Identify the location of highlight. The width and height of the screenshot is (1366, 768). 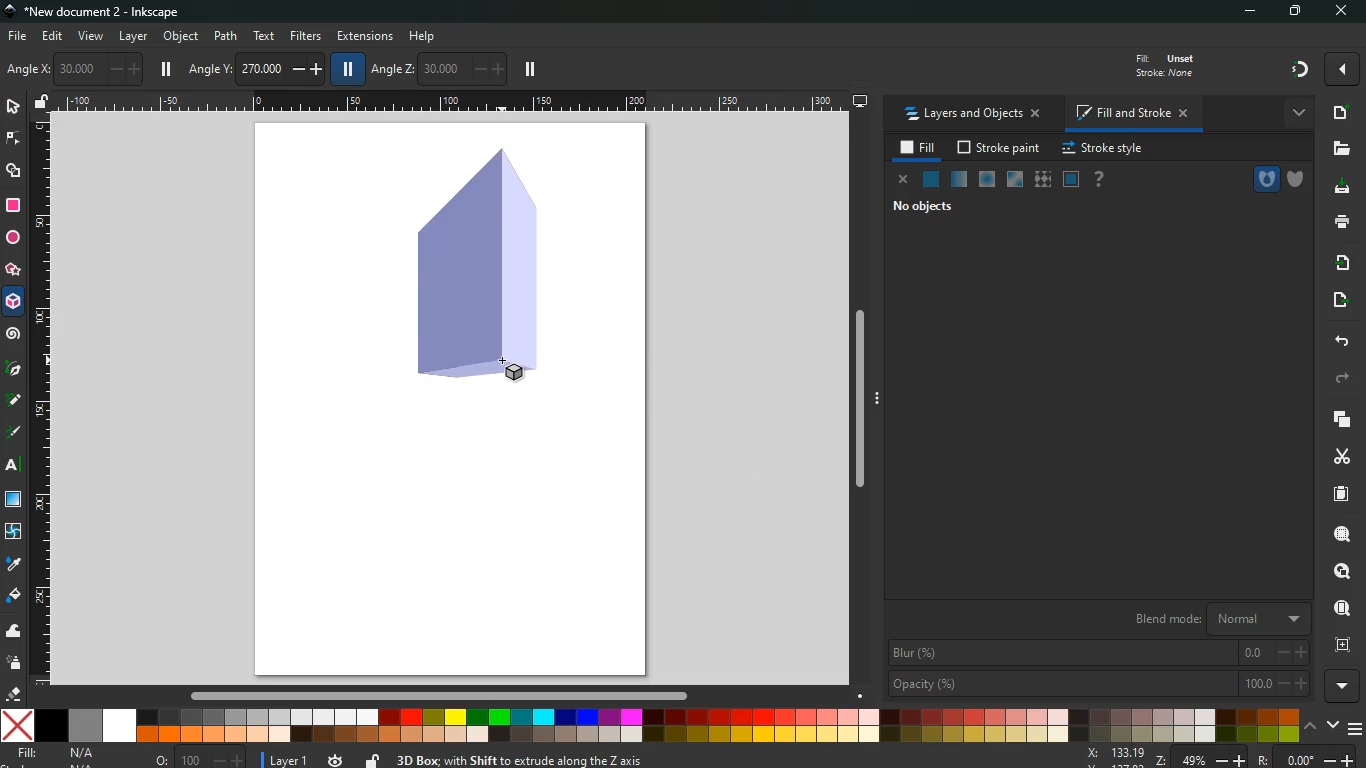
(14, 434).